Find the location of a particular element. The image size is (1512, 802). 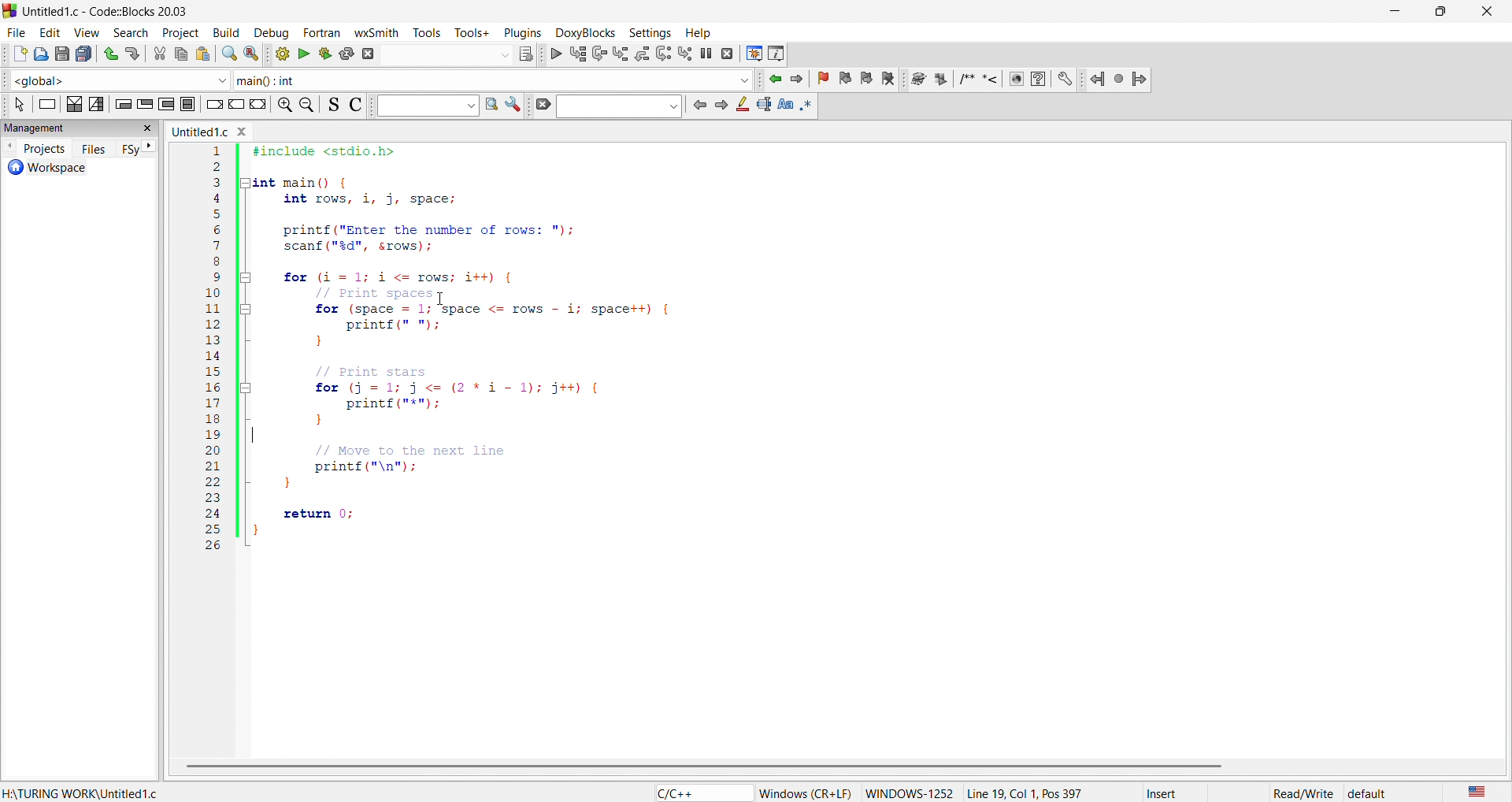

build is located at coordinates (224, 31).